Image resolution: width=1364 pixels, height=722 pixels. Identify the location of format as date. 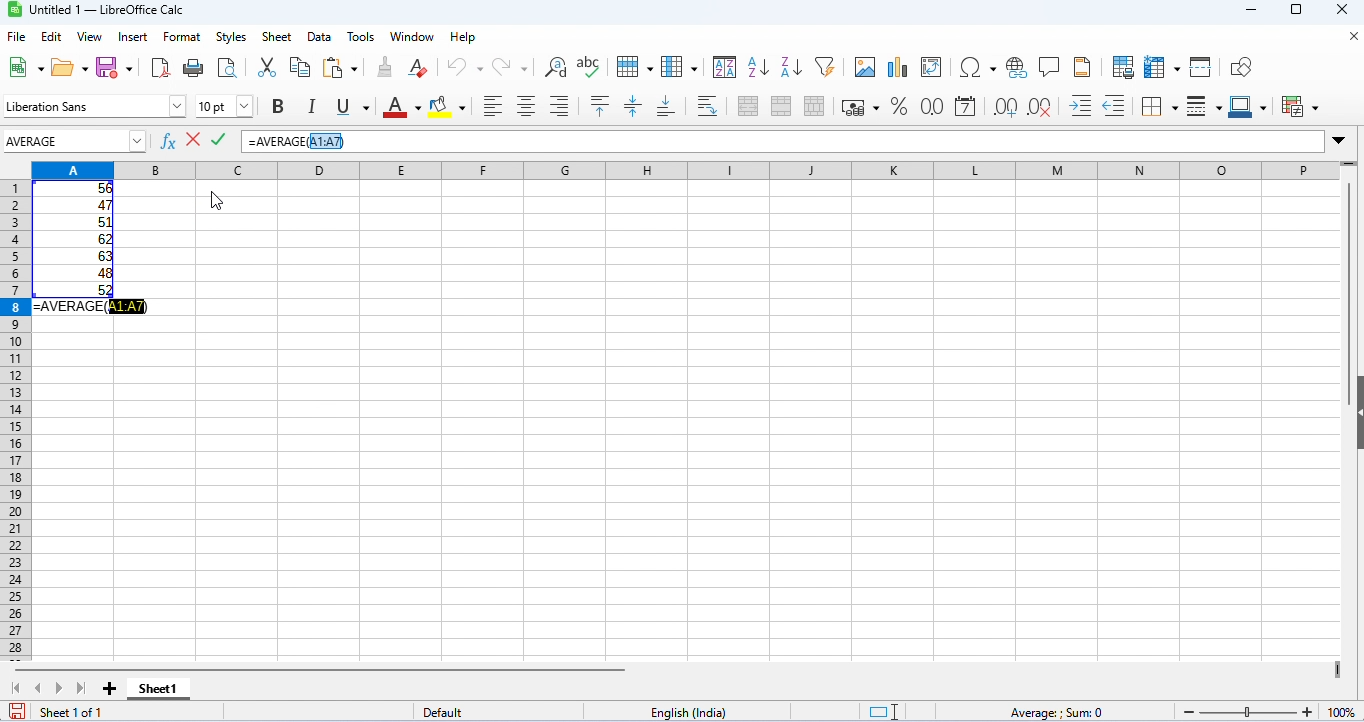
(965, 107).